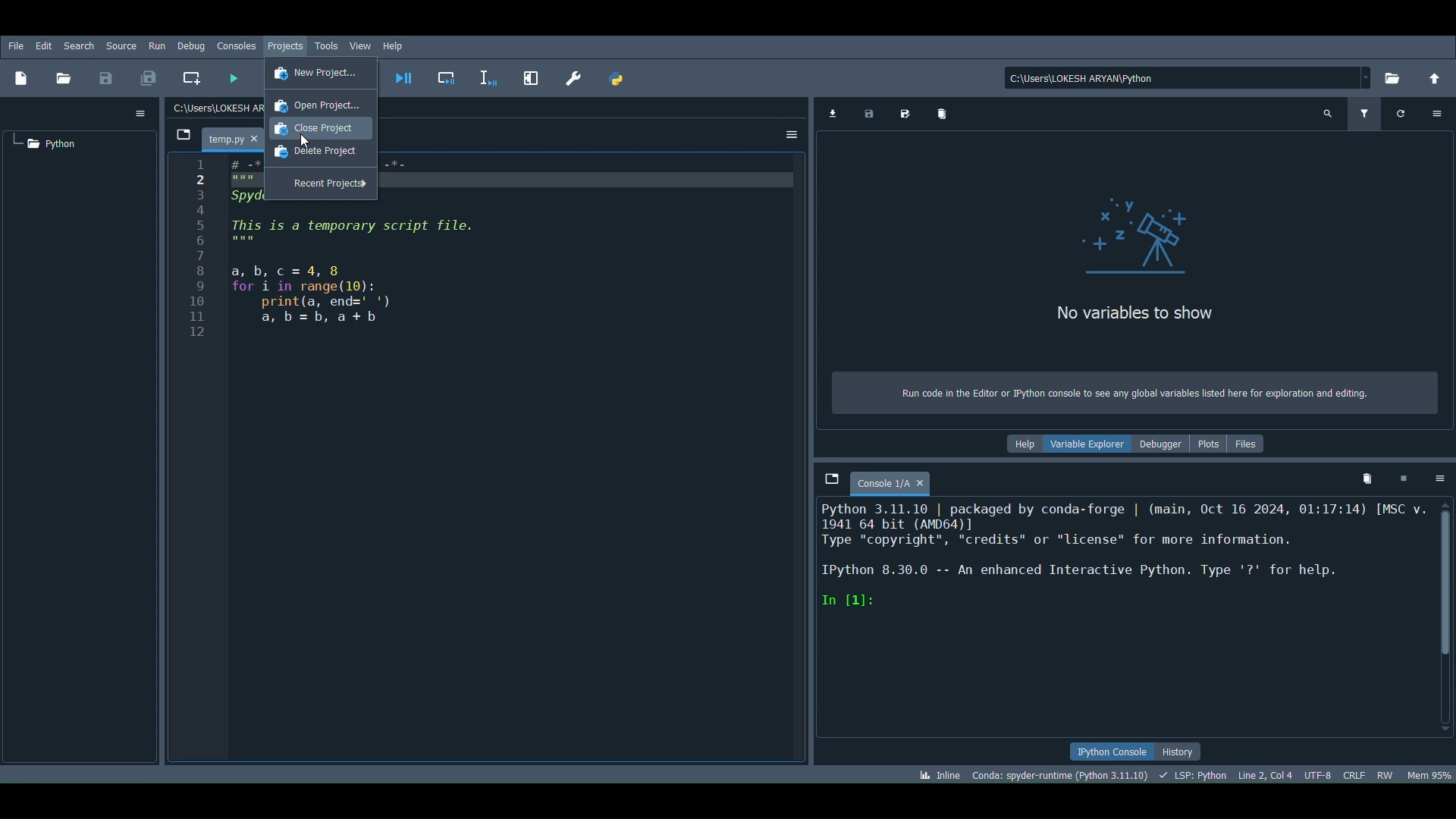 The width and height of the screenshot is (1456, 819). I want to click on Help, so click(393, 45).